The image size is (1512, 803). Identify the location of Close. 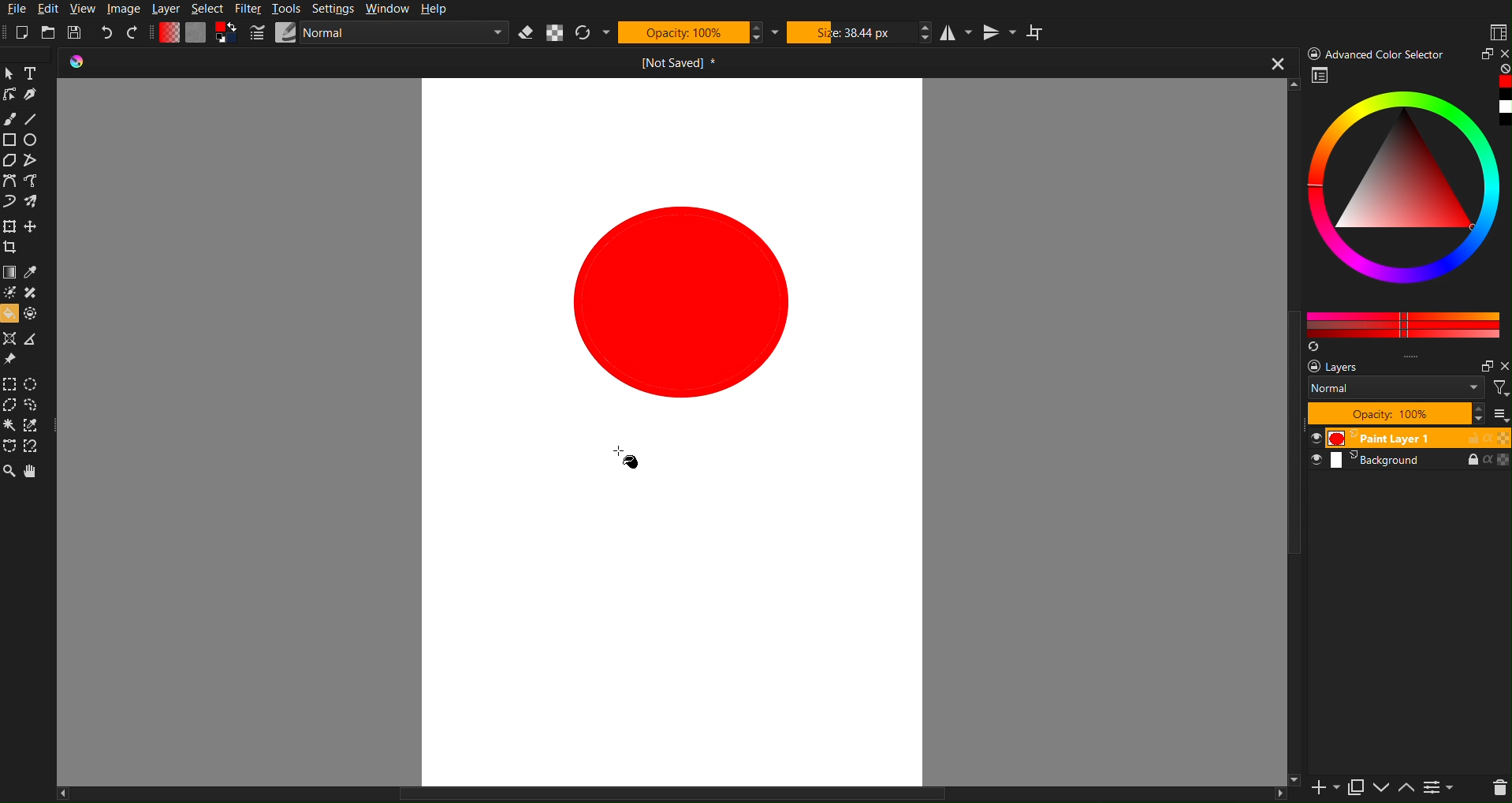
(1503, 364).